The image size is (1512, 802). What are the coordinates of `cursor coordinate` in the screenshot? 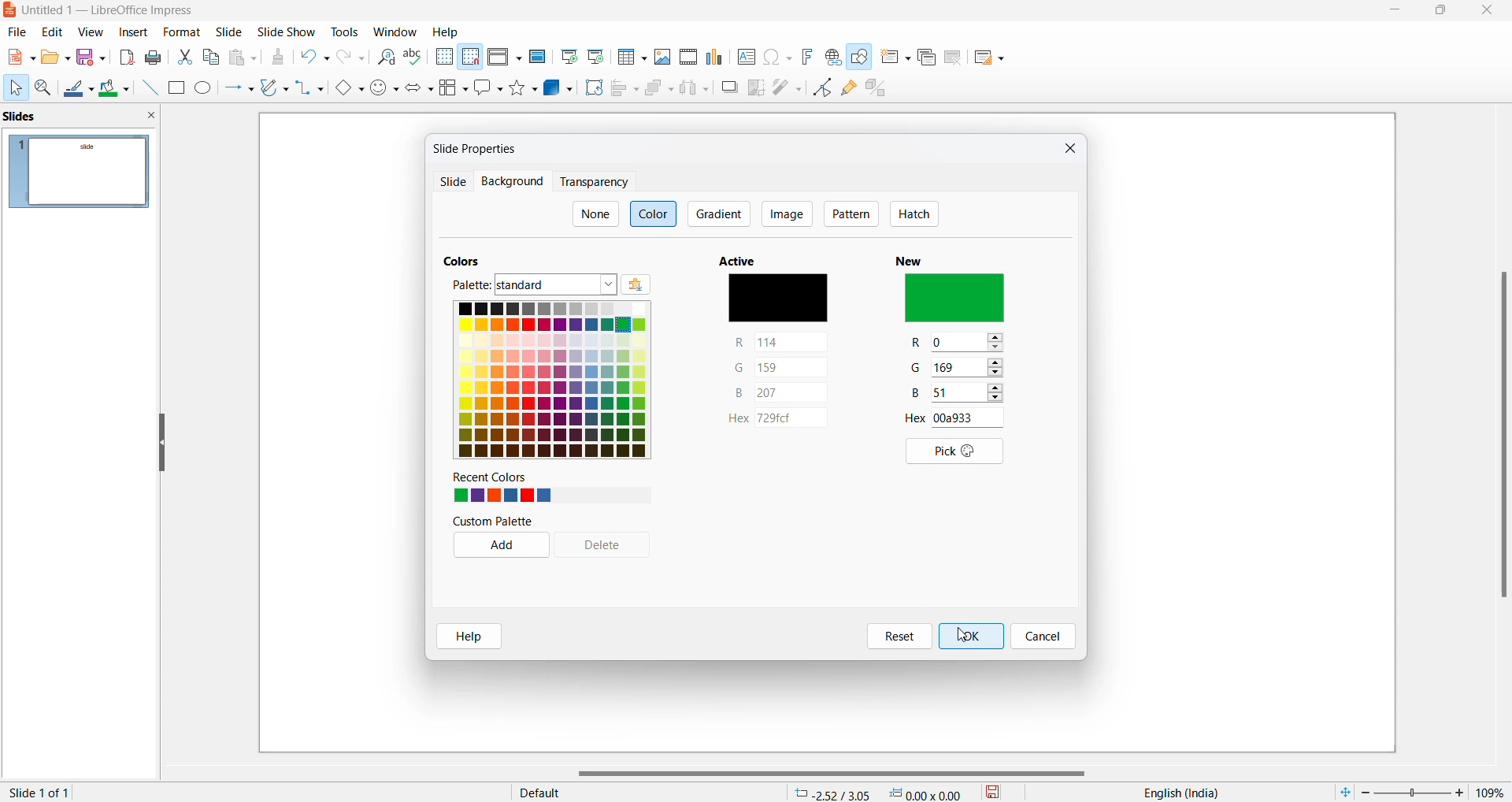 It's located at (883, 790).